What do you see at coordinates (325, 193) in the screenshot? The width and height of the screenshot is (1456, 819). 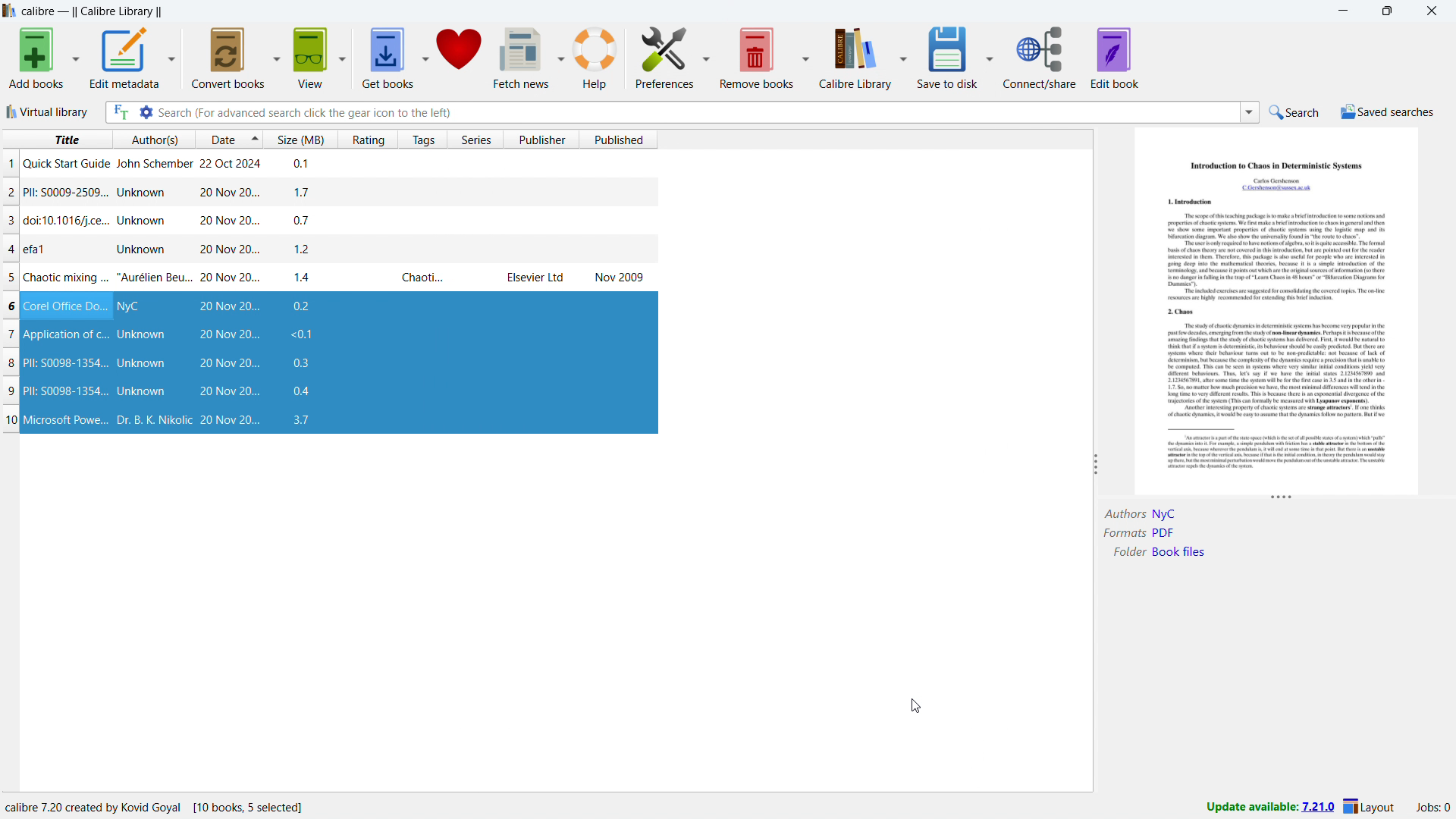 I see `single book entry` at bounding box center [325, 193].